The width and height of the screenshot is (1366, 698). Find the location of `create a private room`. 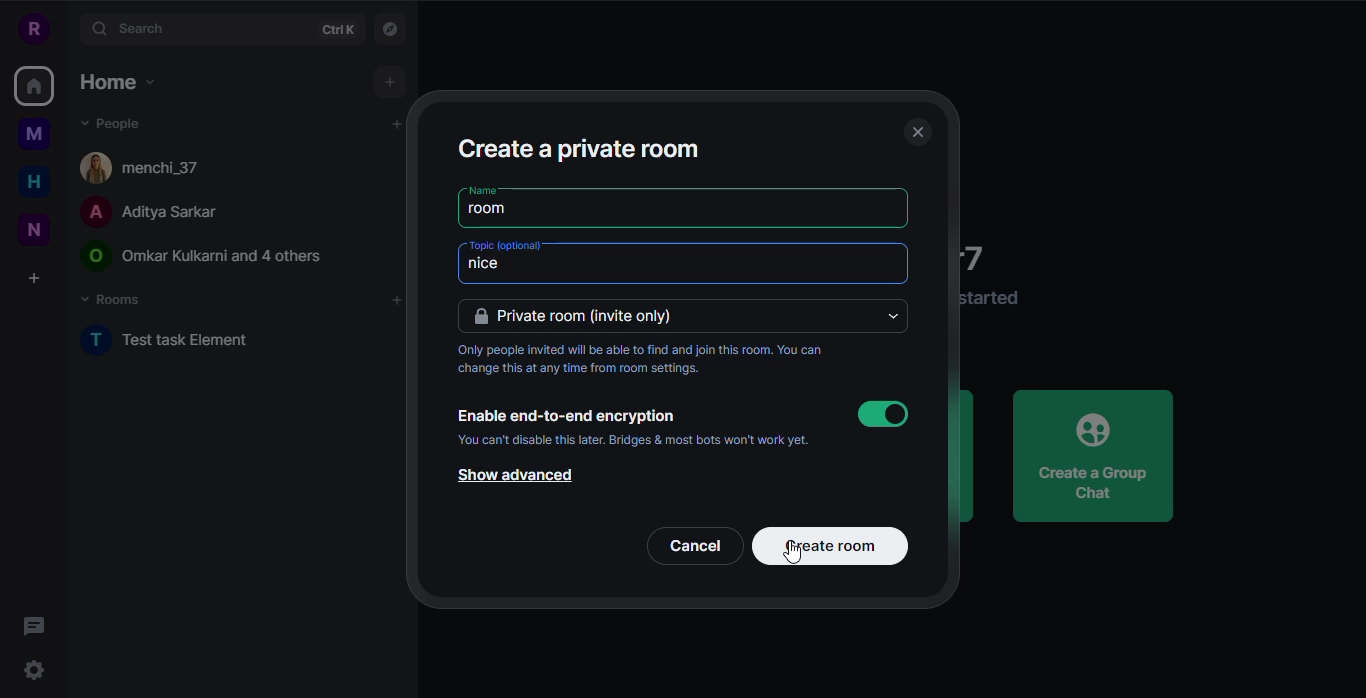

create a private room is located at coordinates (578, 147).